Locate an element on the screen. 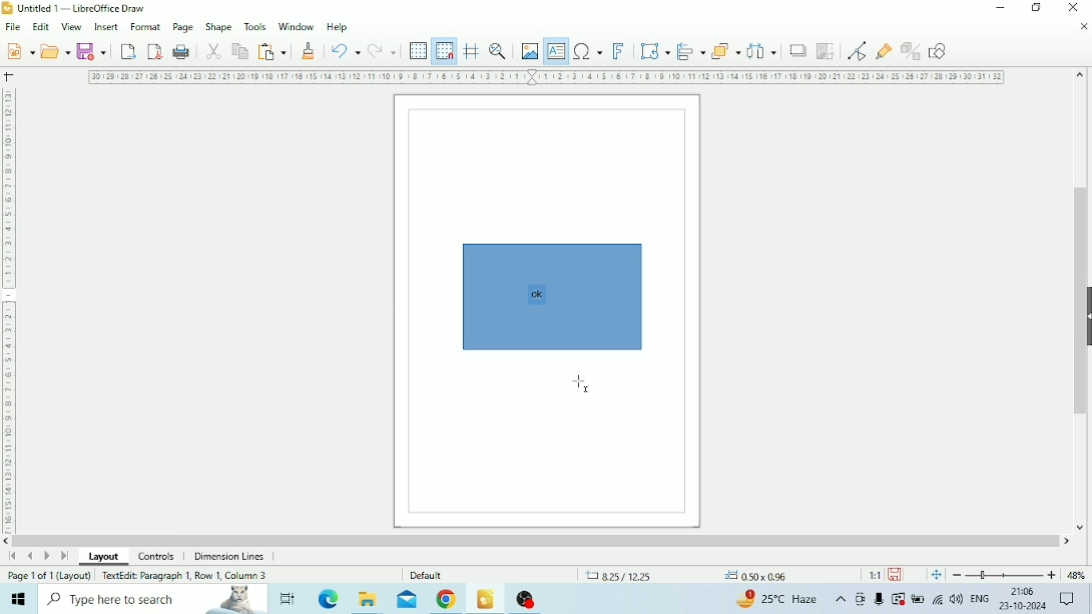  Close is located at coordinates (1074, 7).